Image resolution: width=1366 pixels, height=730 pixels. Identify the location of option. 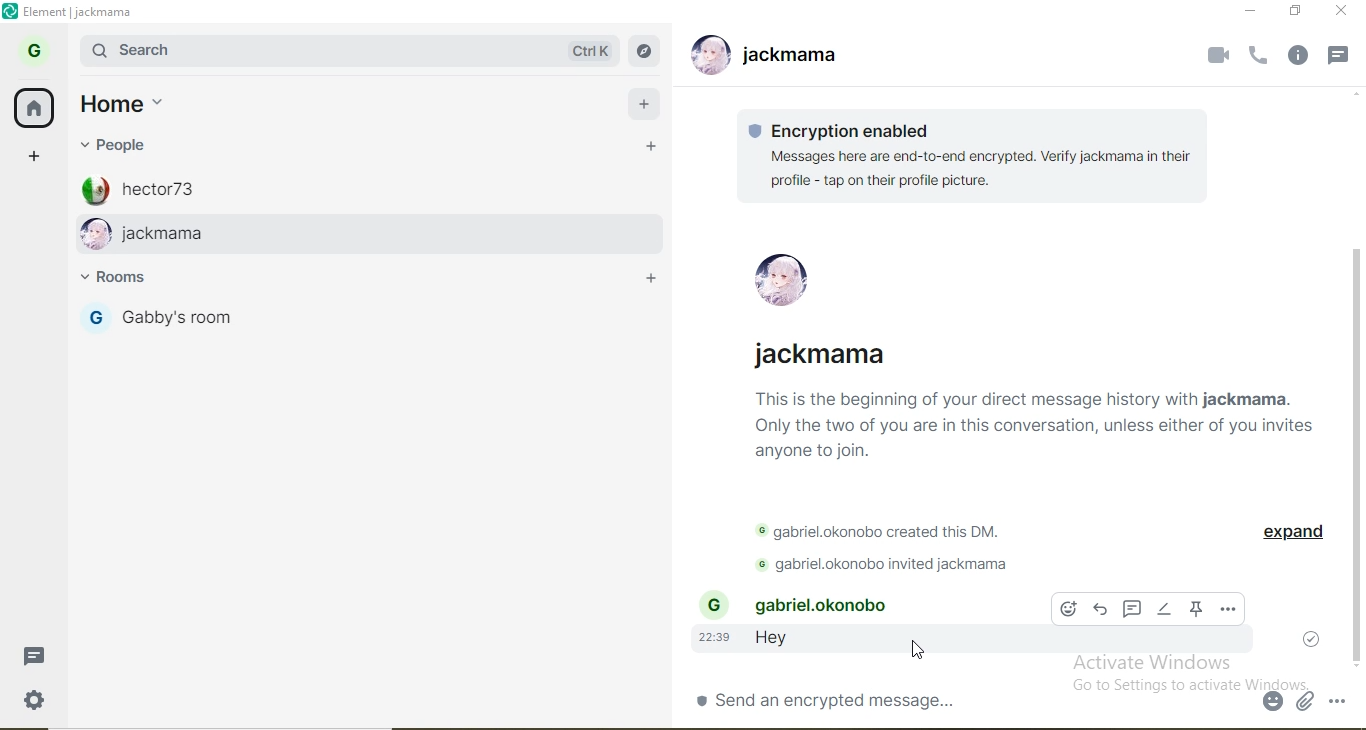
(1339, 700).